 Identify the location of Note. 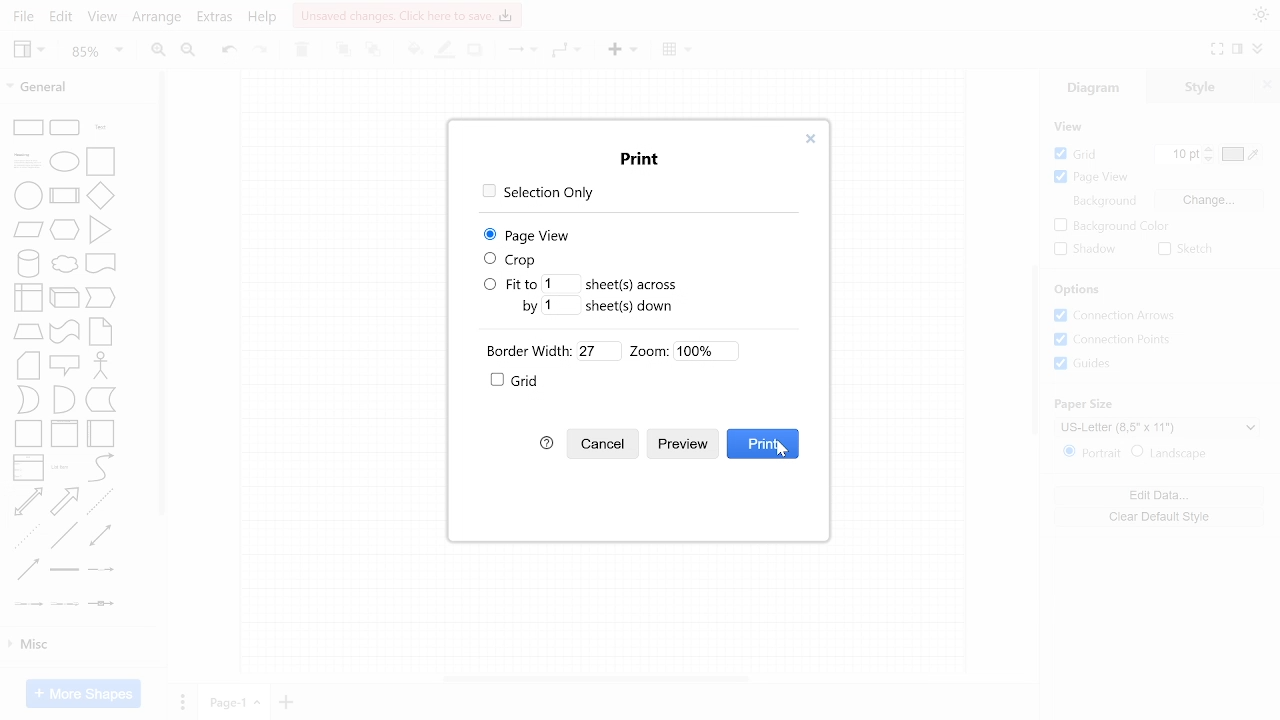
(100, 332).